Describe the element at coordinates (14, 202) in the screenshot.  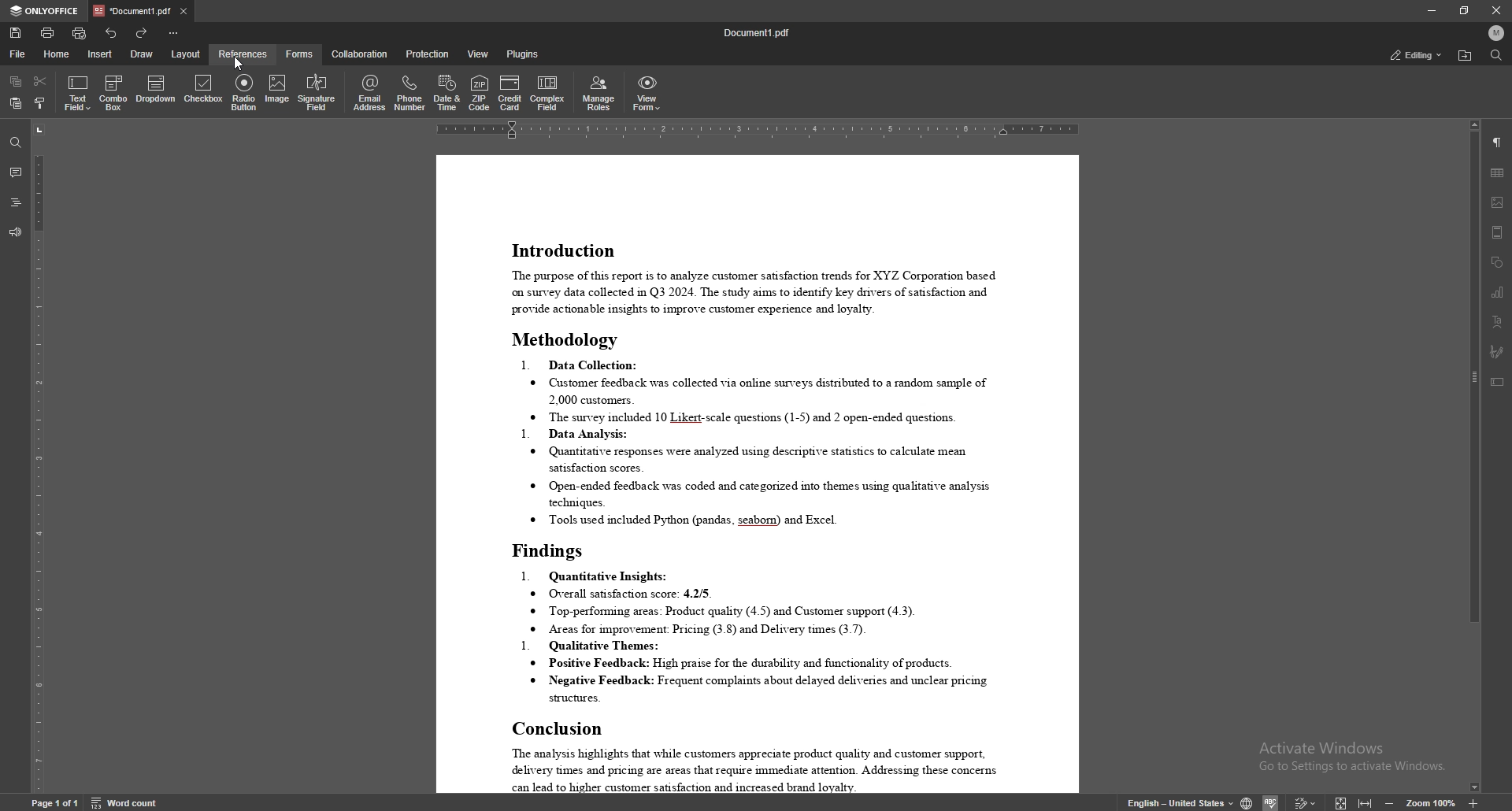
I see `headings` at that location.